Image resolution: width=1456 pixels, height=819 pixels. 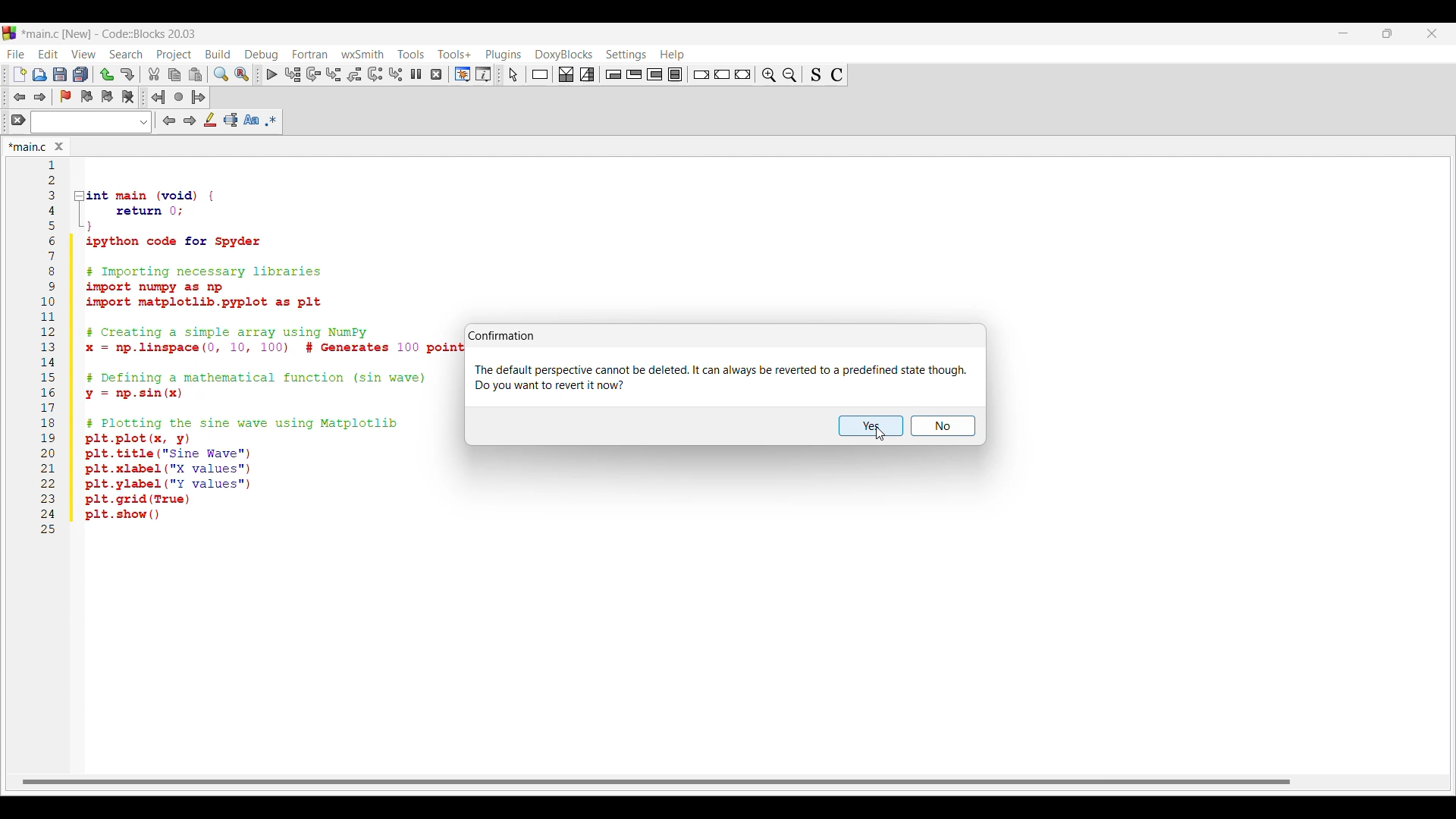 I want to click on Use regex, so click(x=271, y=121).